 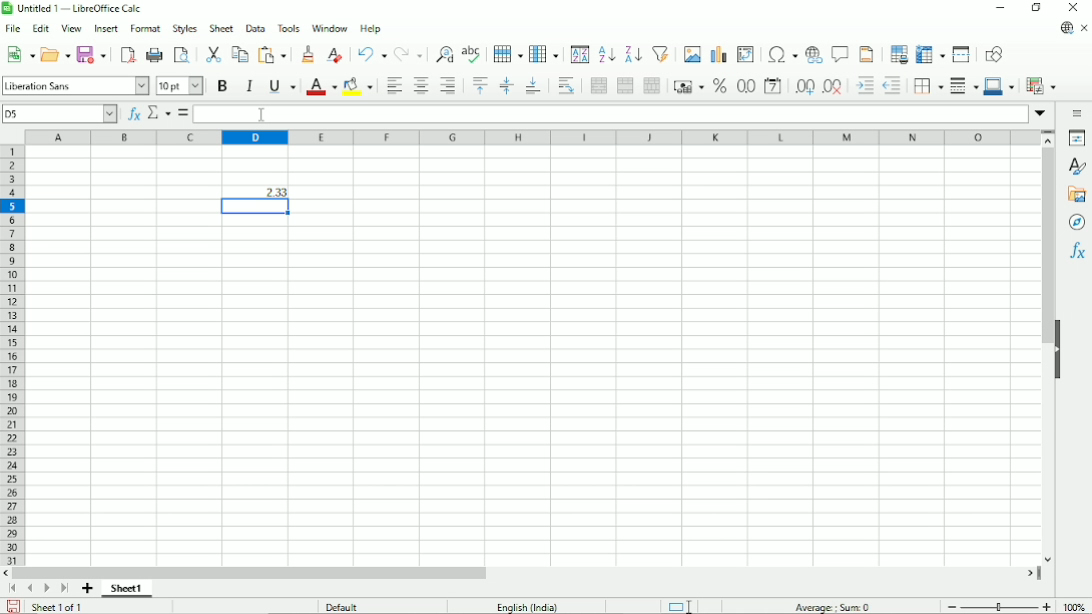 What do you see at coordinates (371, 28) in the screenshot?
I see `Help` at bounding box center [371, 28].